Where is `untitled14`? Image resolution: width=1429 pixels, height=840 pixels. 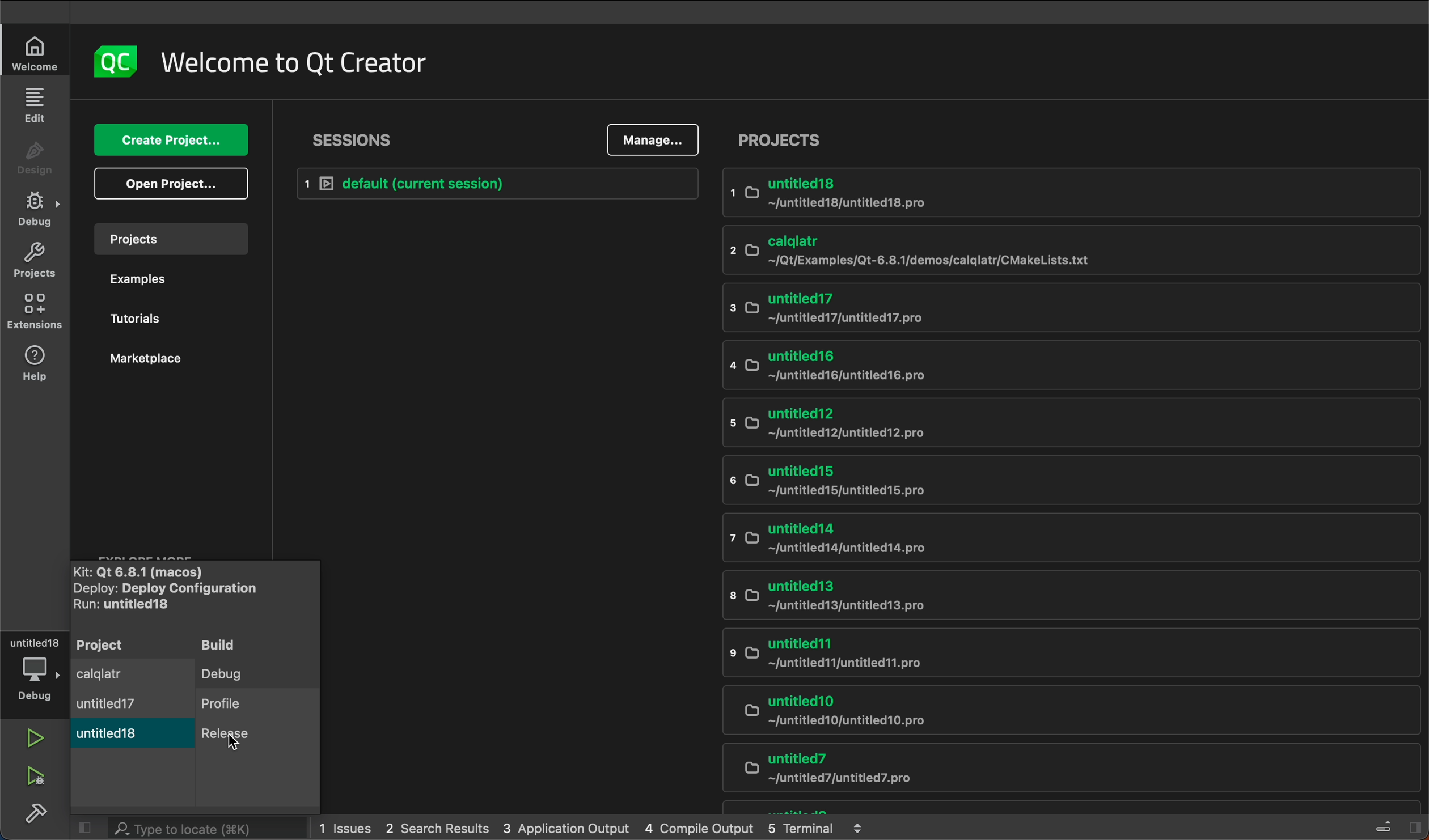 untitled14 is located at coordinates (1051, 540).